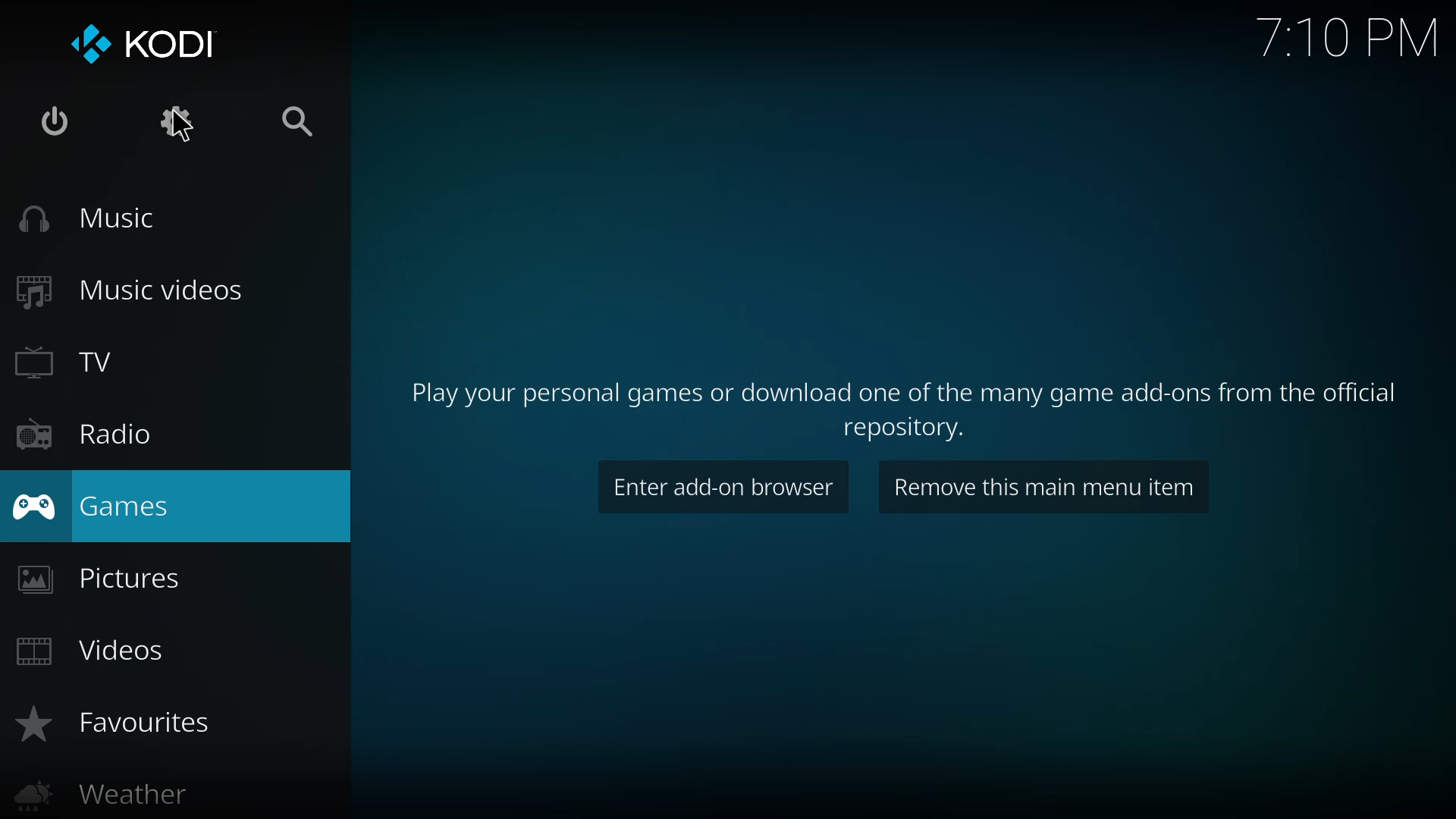 This screenshot has height=819, width=1456. Describe the element at coordinates (911, 402) in the screenshot. I see `learn more` at that location.